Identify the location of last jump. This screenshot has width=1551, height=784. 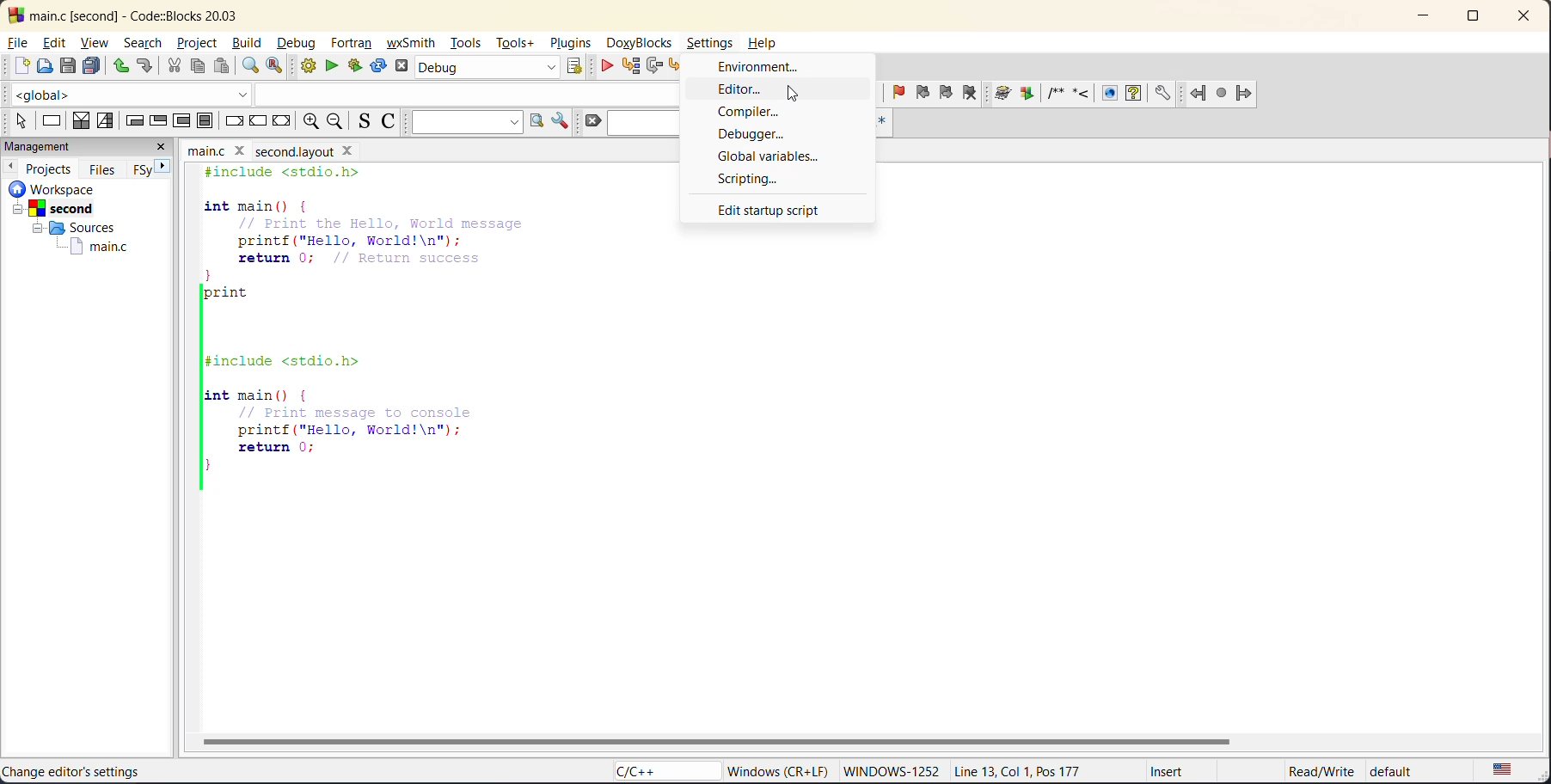
(1223, 93).